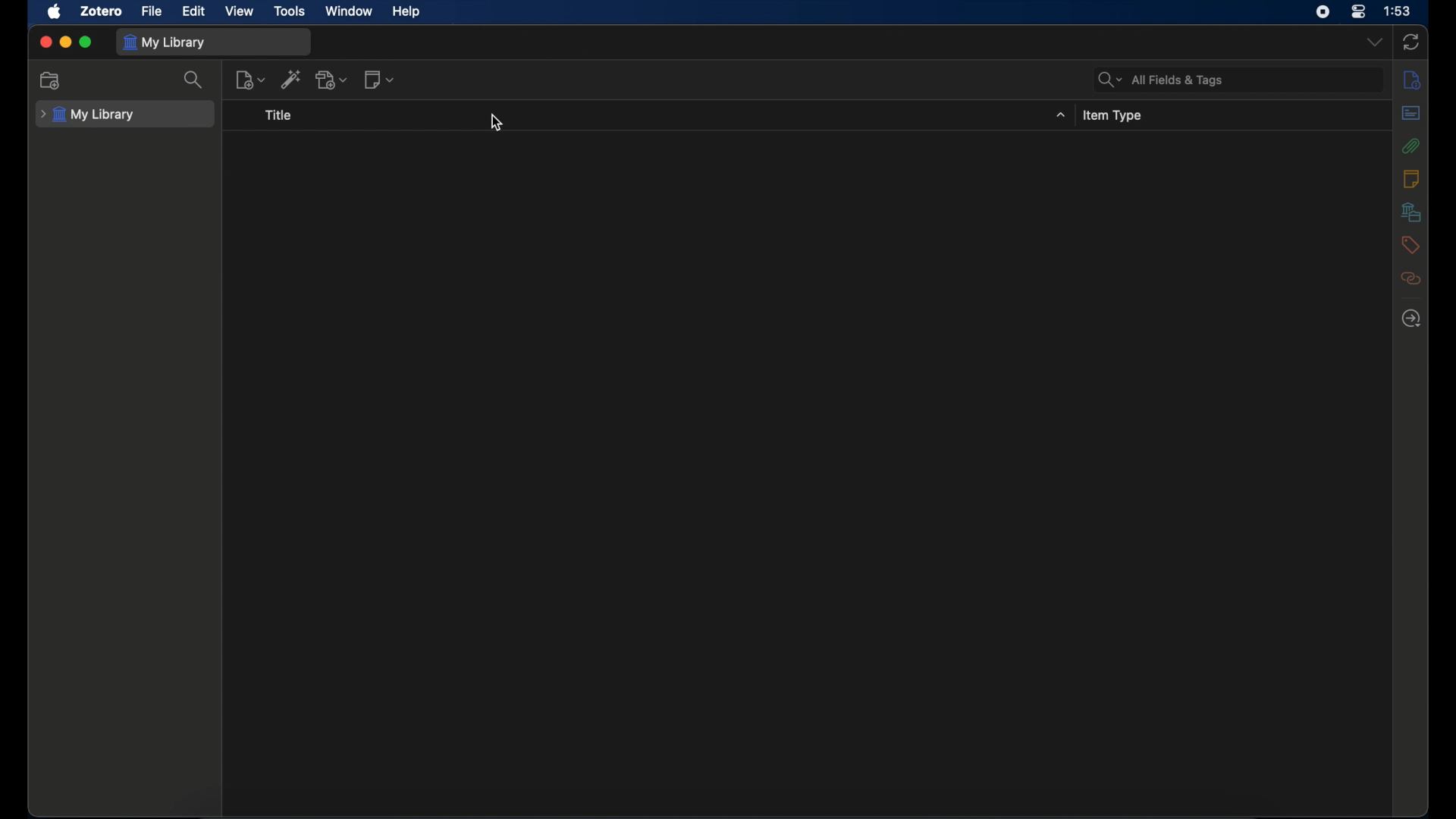 Image resolution: width=1456 pixels, height=819 pixels. Describe the element at coordinates (1397, 10) in the screenshot. I see `time` at that location.